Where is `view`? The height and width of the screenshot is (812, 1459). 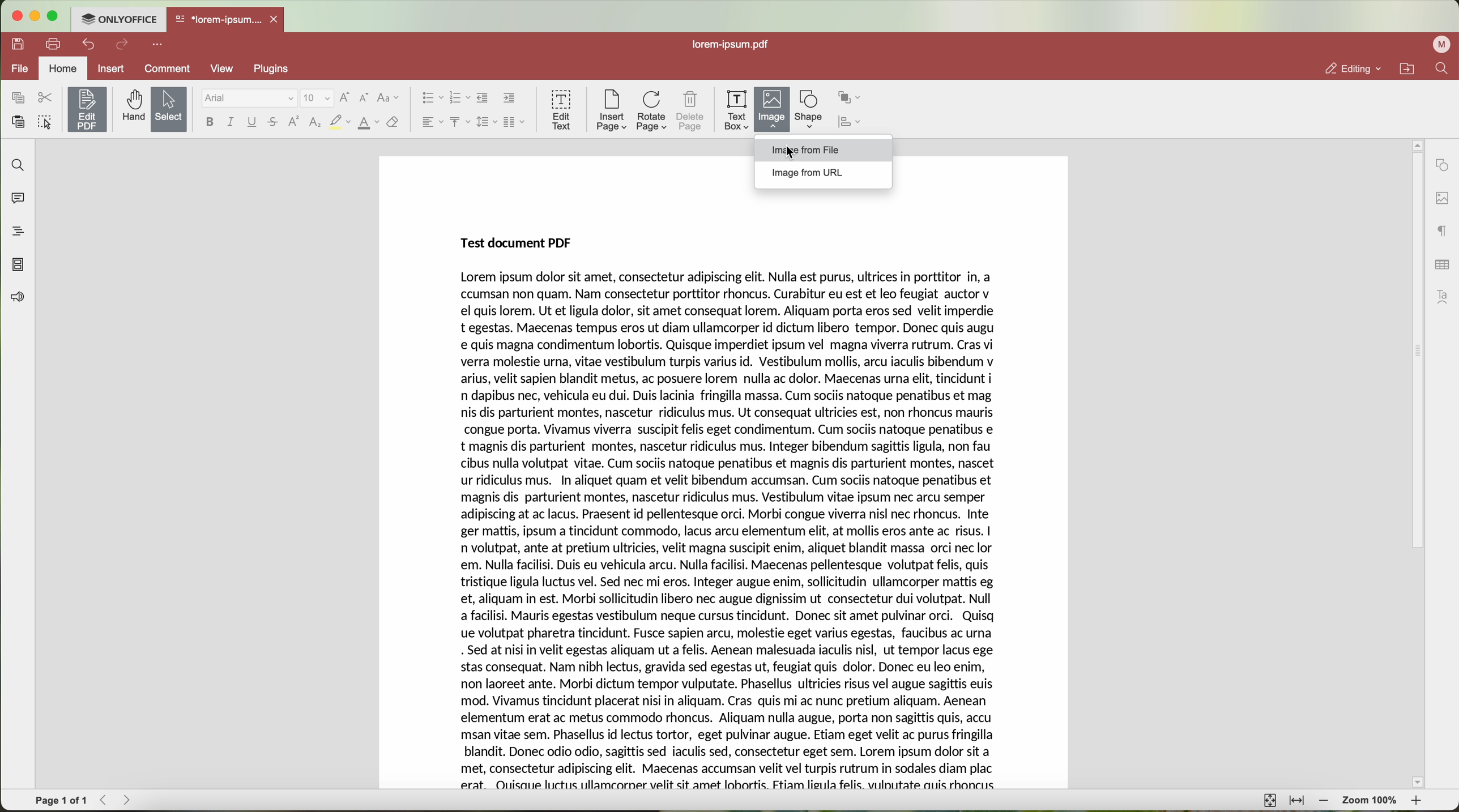 view is located at coordinates (226, 69).